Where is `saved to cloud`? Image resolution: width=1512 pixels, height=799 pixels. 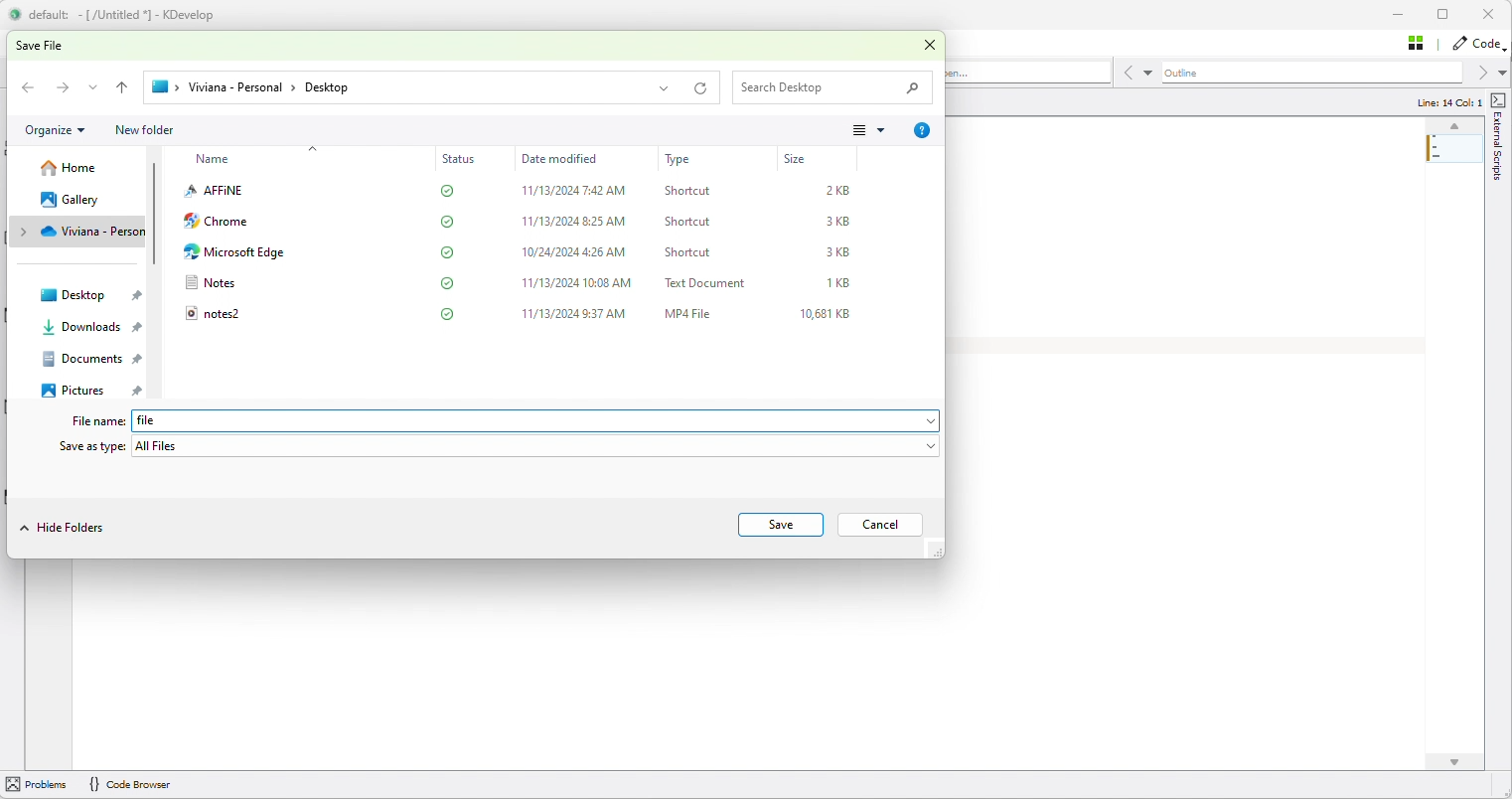
saved to cloud is located at coordinates (448, 313).